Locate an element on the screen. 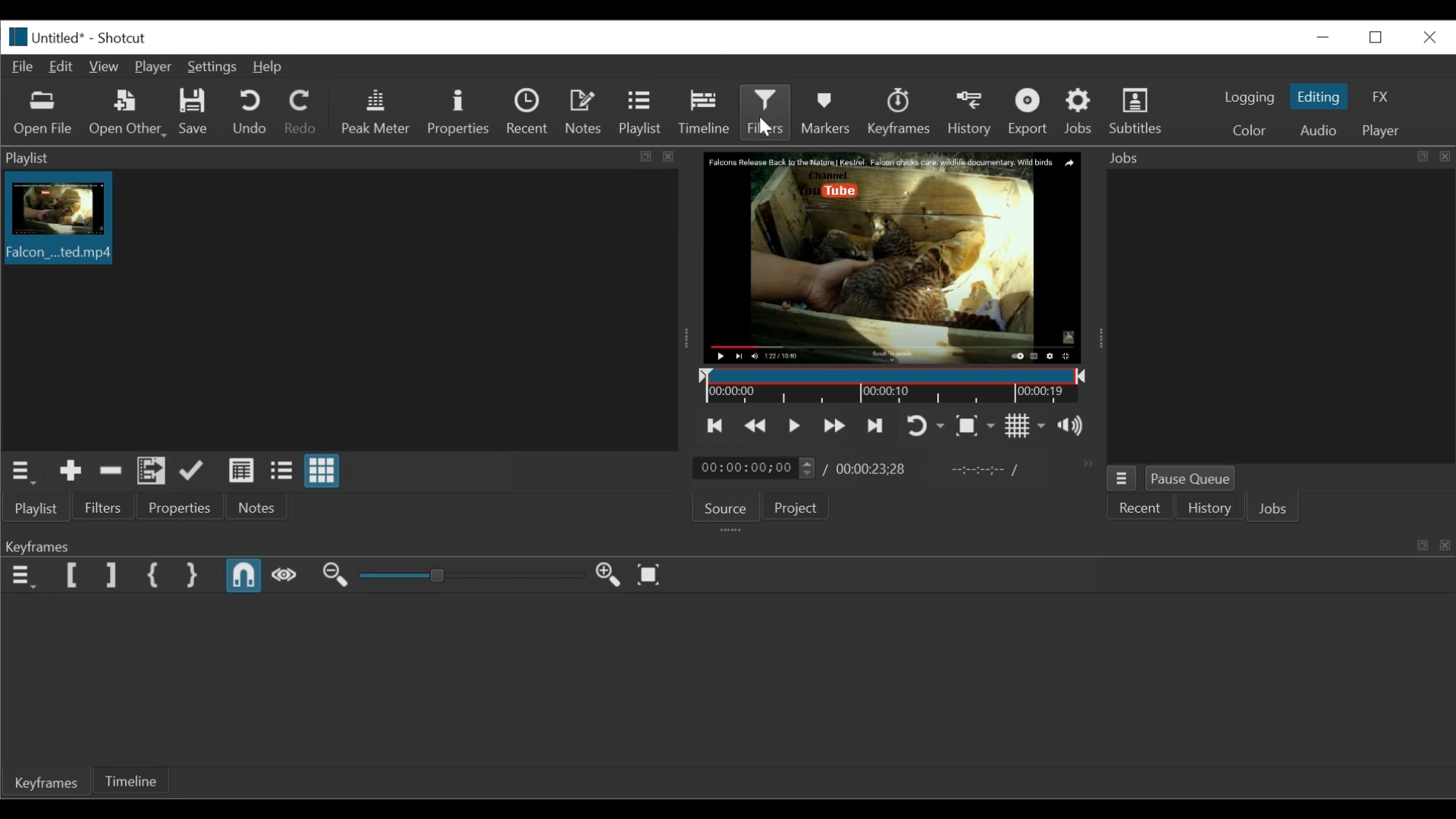 The height and width of the screenshot is (819, 1456). Timeline is located at coordinates (889, 384).